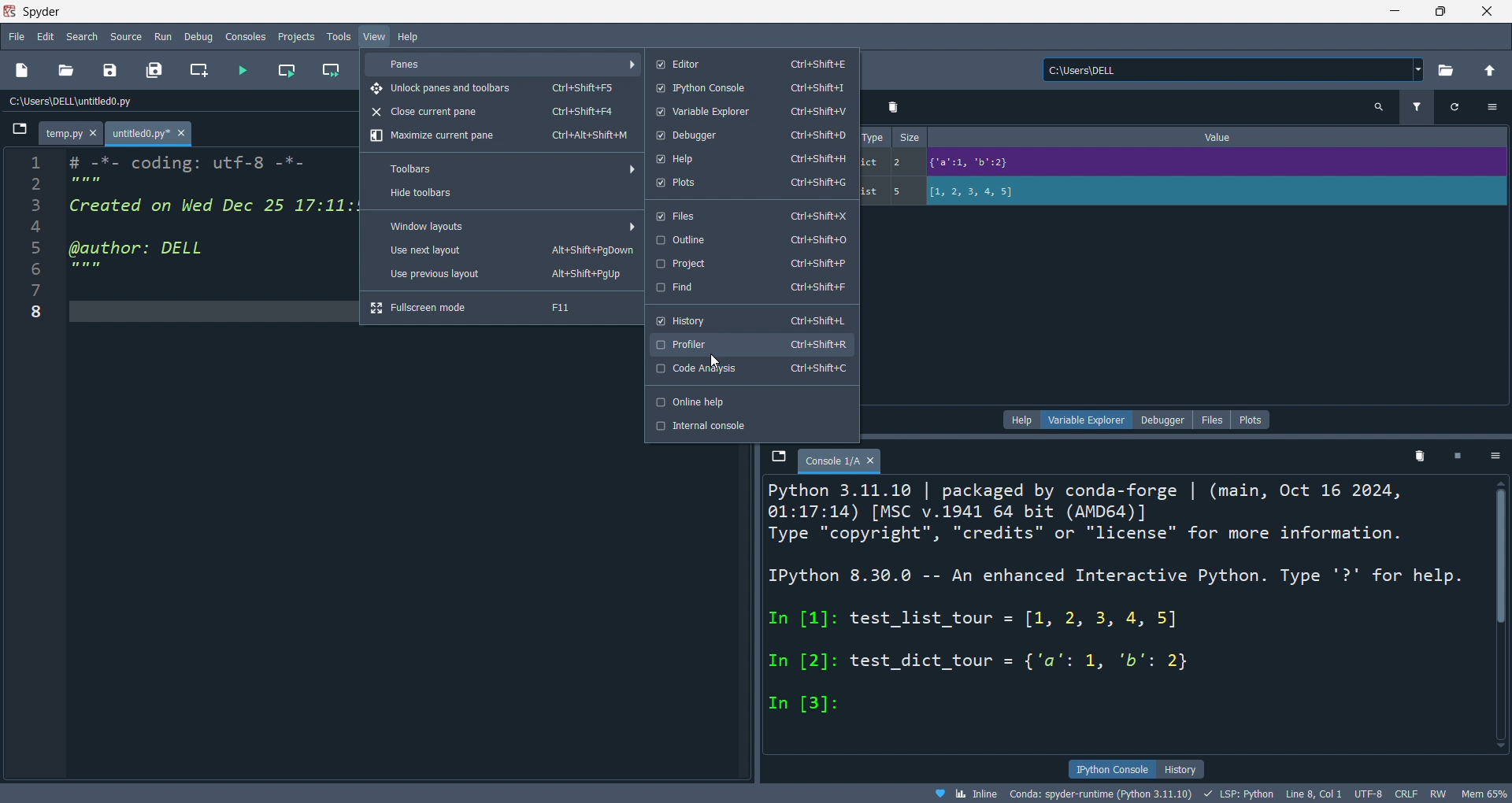 This screenshot has height=803, width=1512. I want to click on view, so click(376, 36).